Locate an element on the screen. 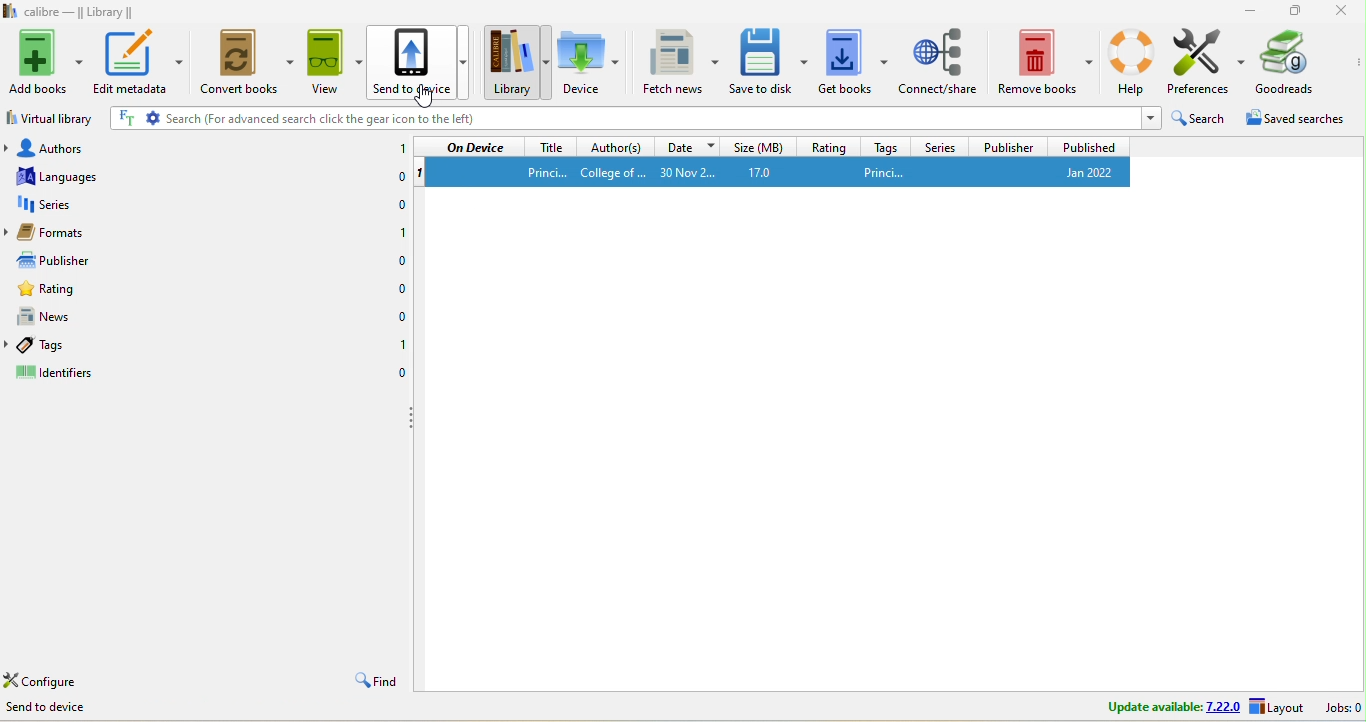 This screenshot has width=1366, height=722. size is located at coordinates (762, 147).